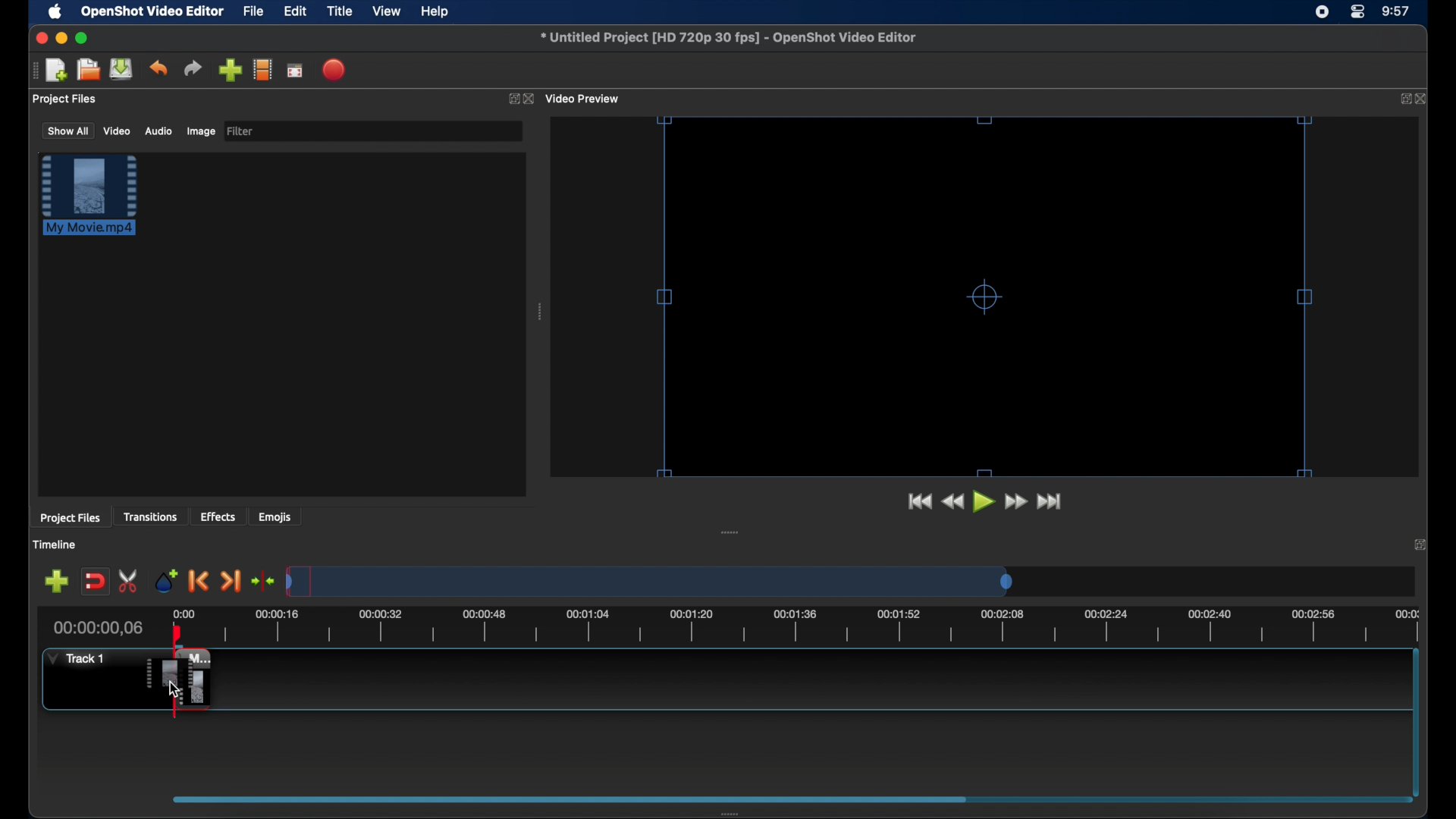 The width and height of the screenshot is (1456, 819). What do you see at coordinates (730, 38) in the screenshot?
I see `file name` at bounding box center [730, 38].